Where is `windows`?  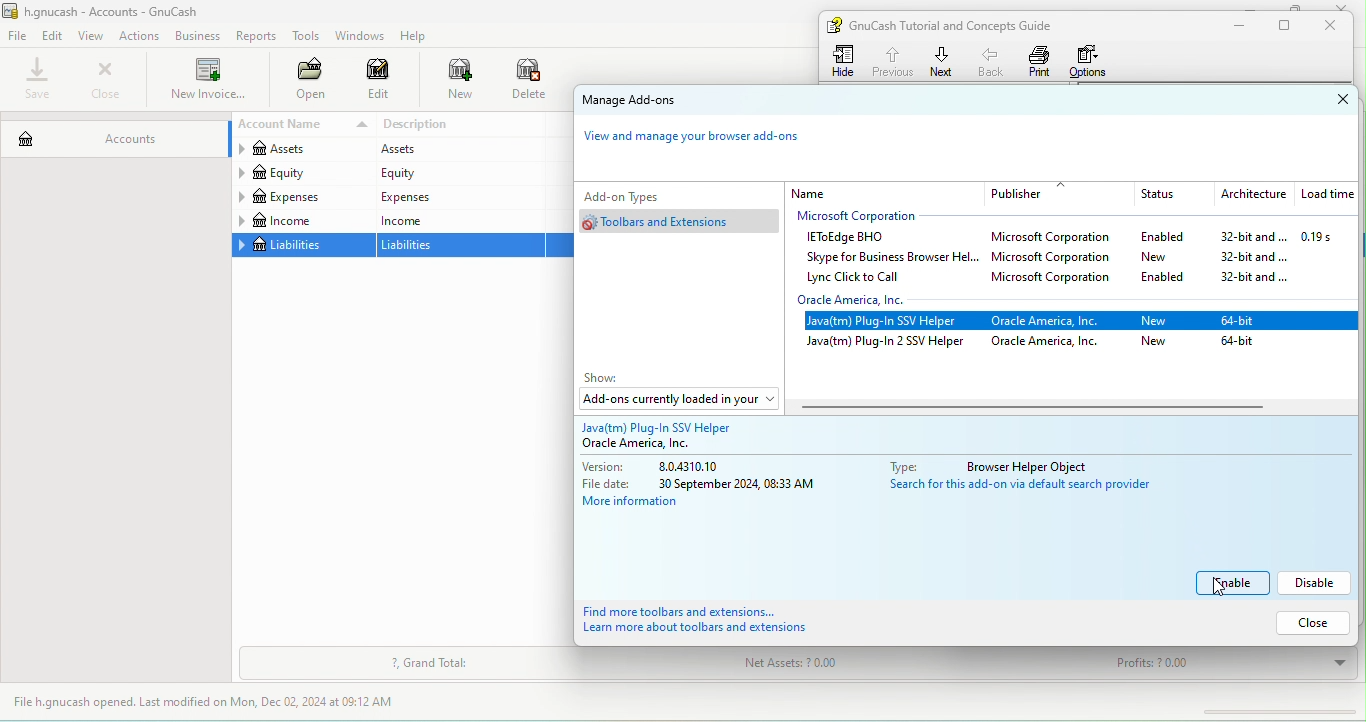 windows is located at coordinates (358, 36).